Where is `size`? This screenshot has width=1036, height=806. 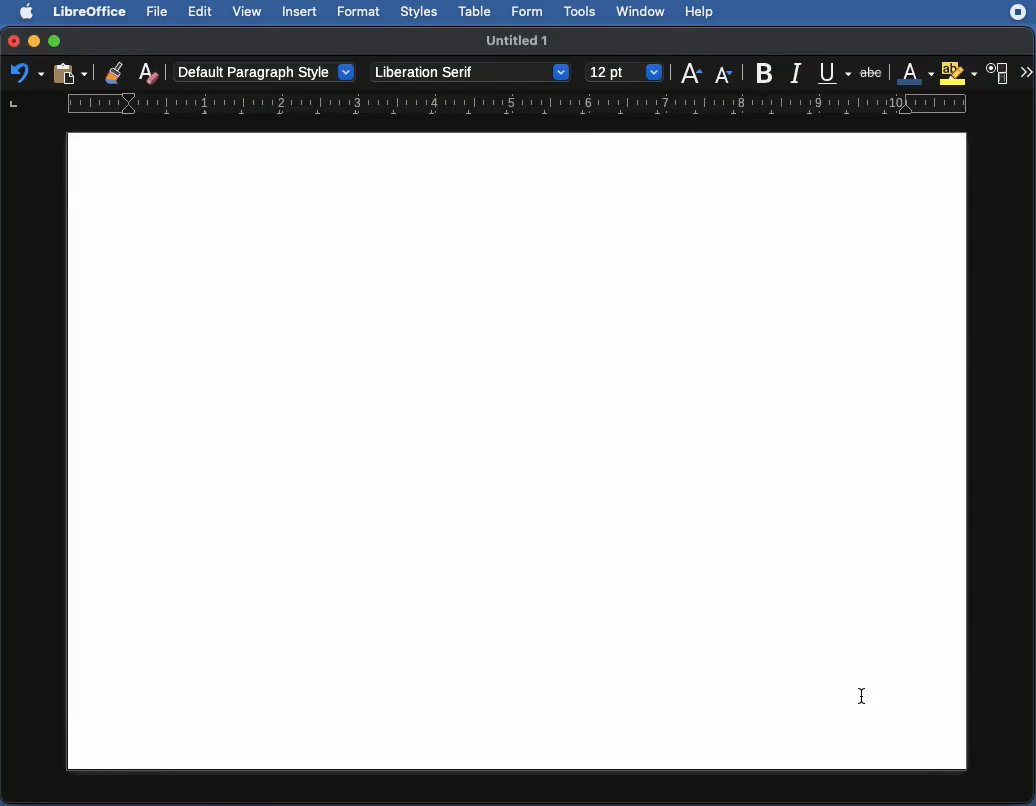
size is located at coordinates (623, 72).